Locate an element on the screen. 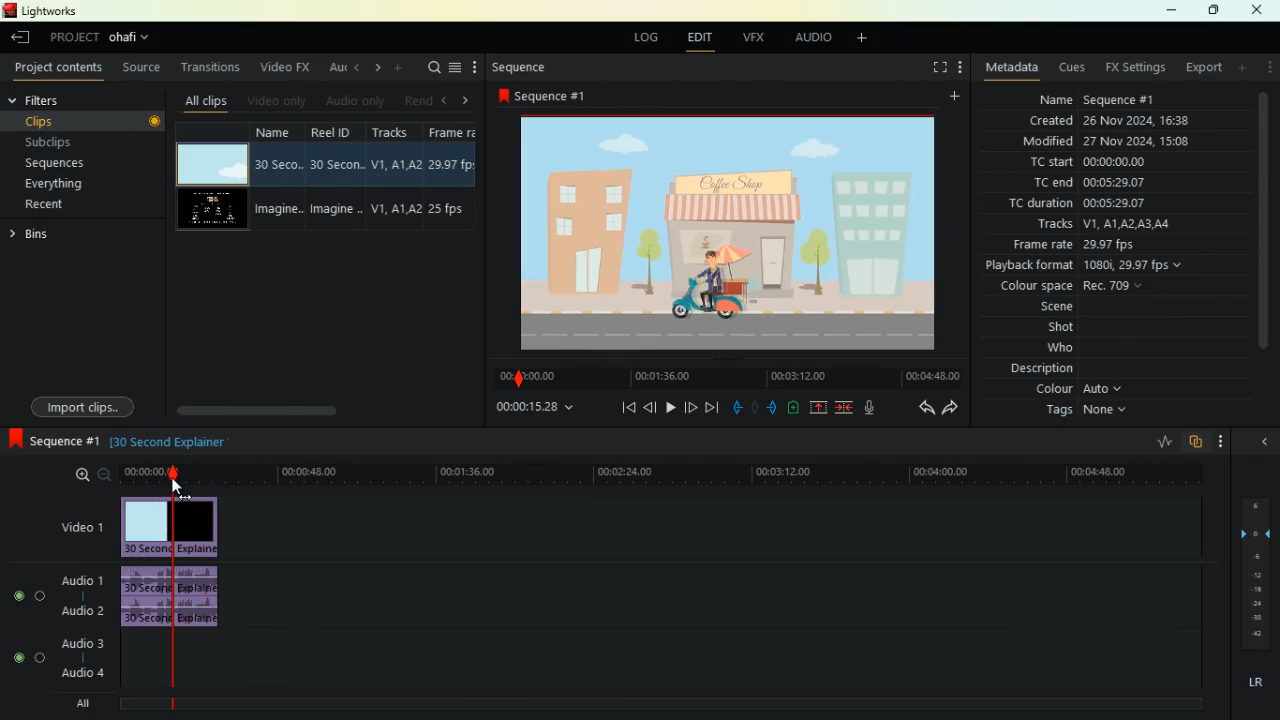  video is located at coordinates (213, 162).